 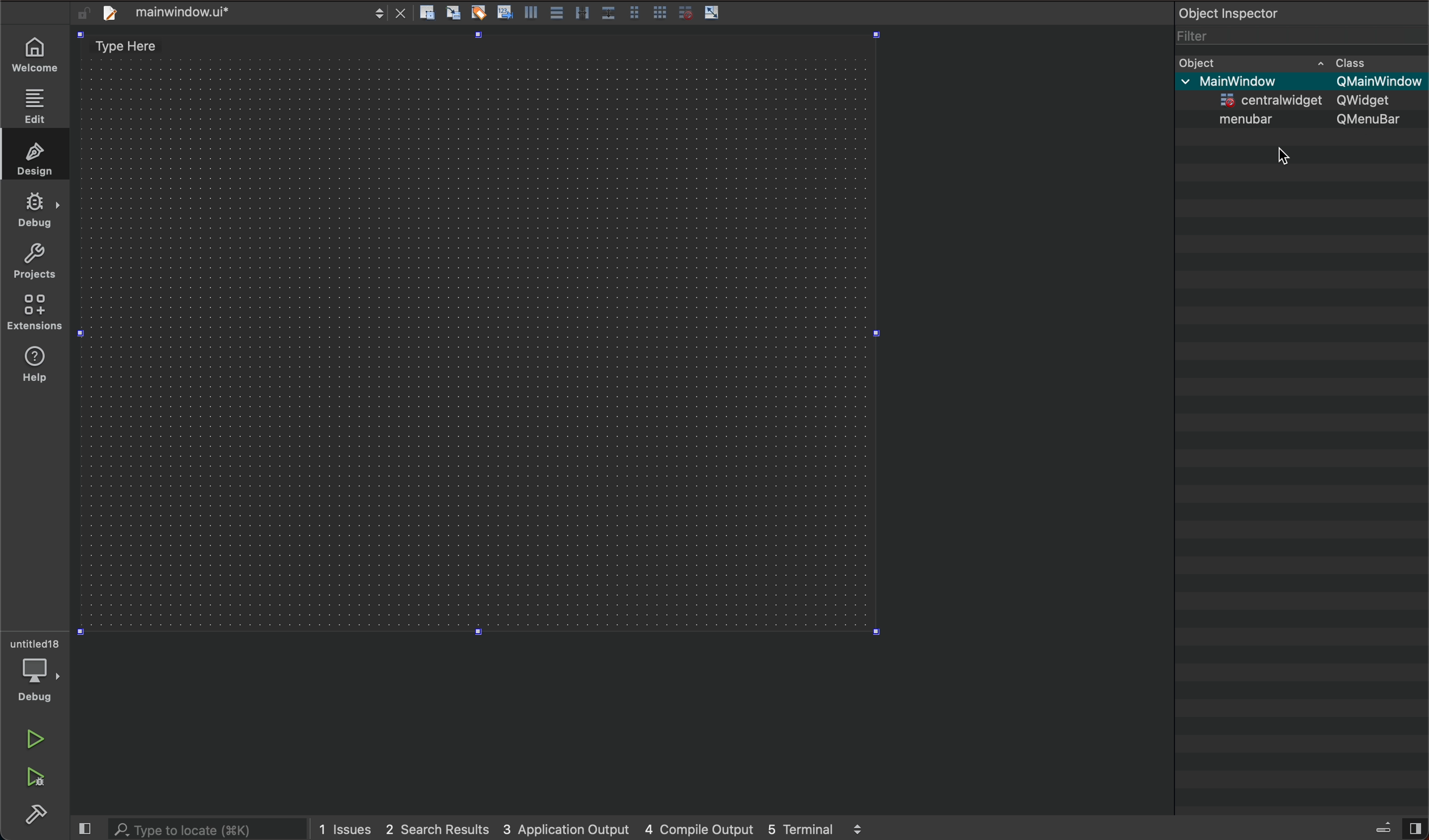 What do you see at coordinates (33, 775) in the screenshot?
I see `run debug` at bounding box center [33, 775].